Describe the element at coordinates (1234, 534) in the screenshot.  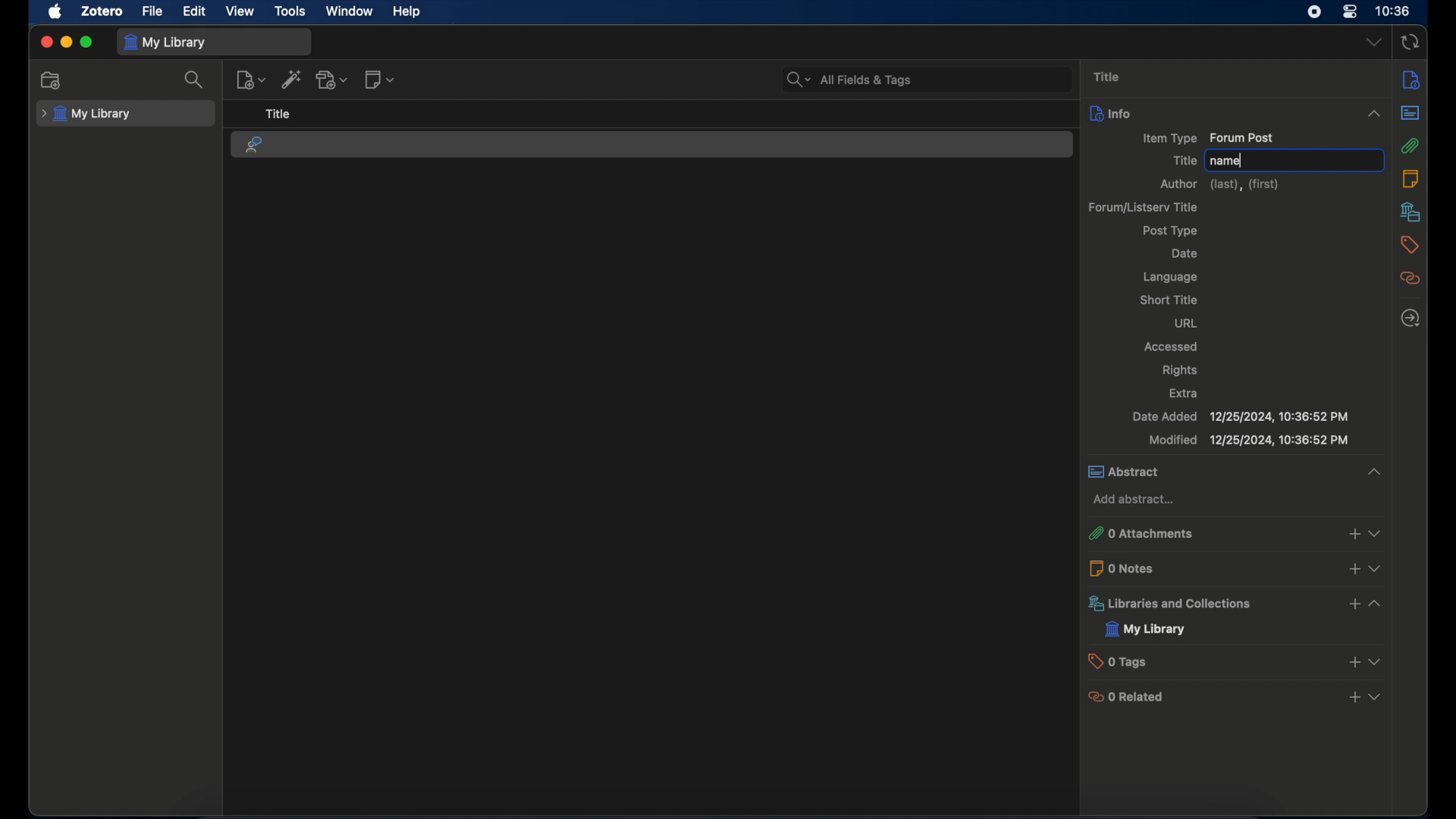
I see `0 attachments` at that location.